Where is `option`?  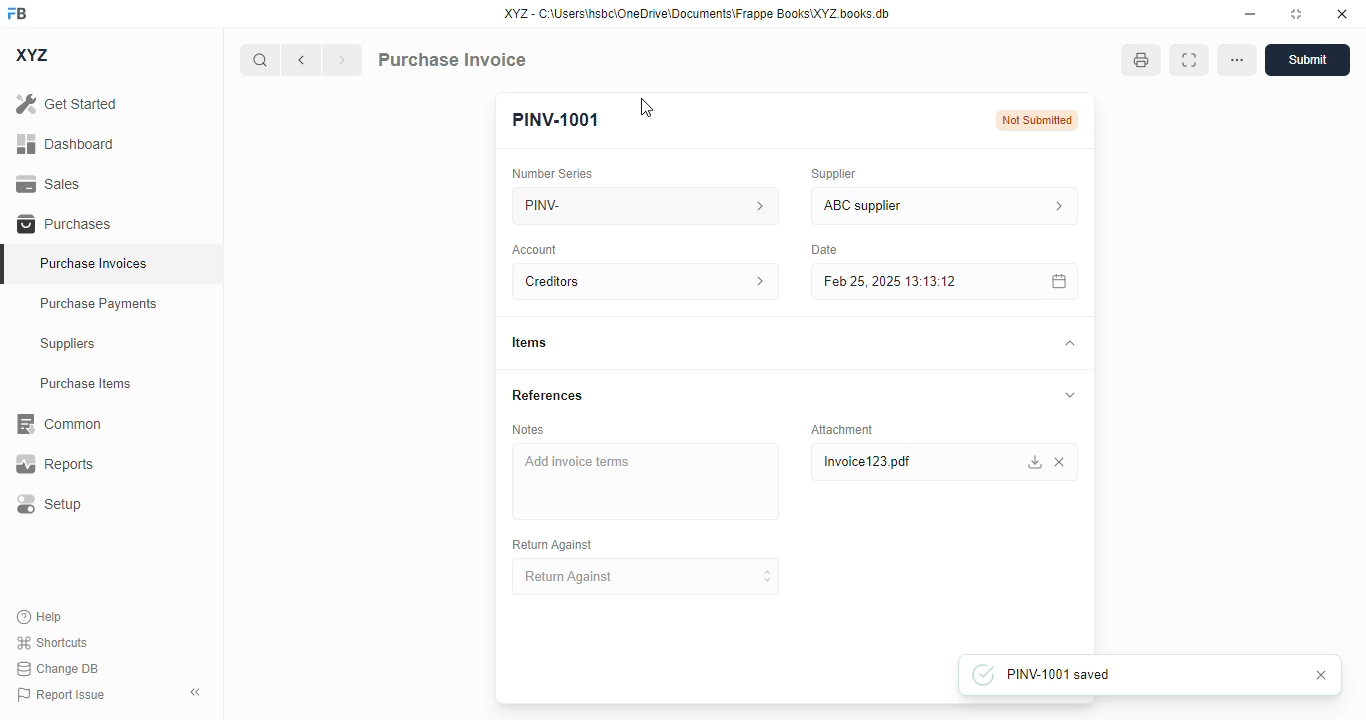
option is located at coordinates (1237, 60).